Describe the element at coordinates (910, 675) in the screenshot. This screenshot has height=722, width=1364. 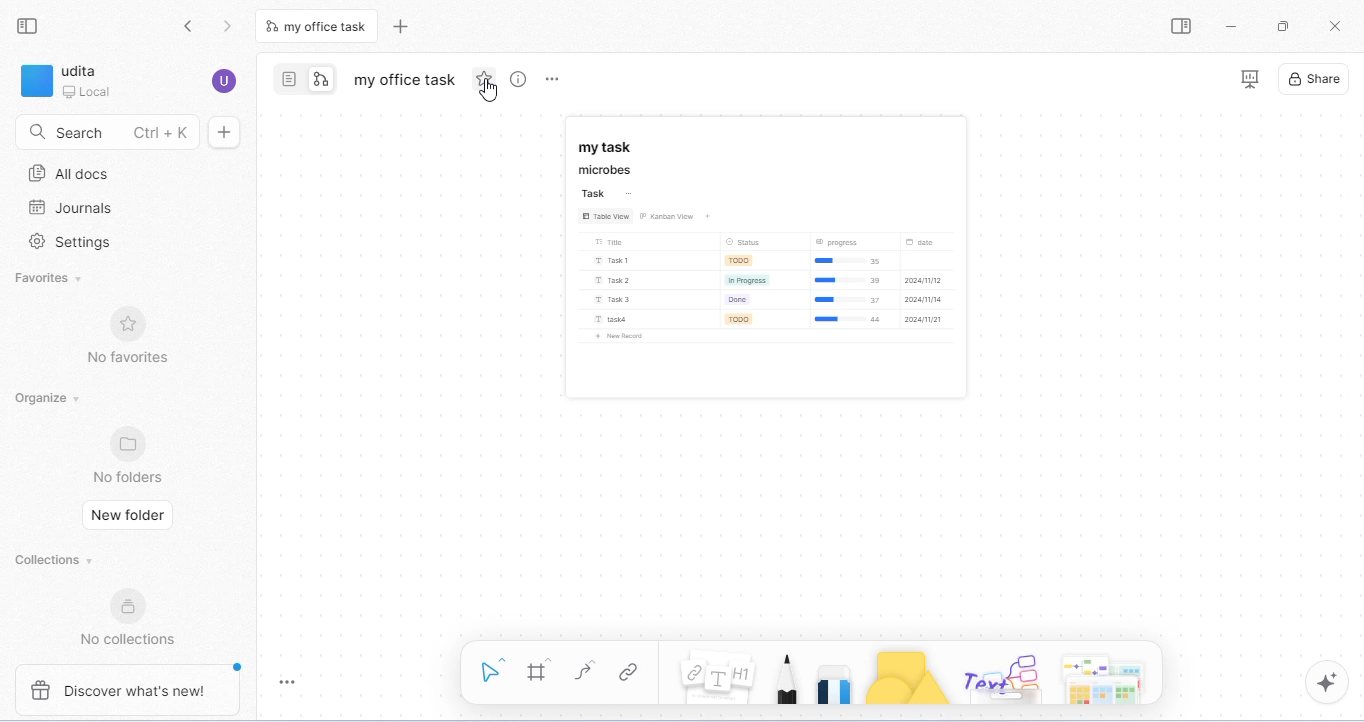
I see `shapes` at that location.